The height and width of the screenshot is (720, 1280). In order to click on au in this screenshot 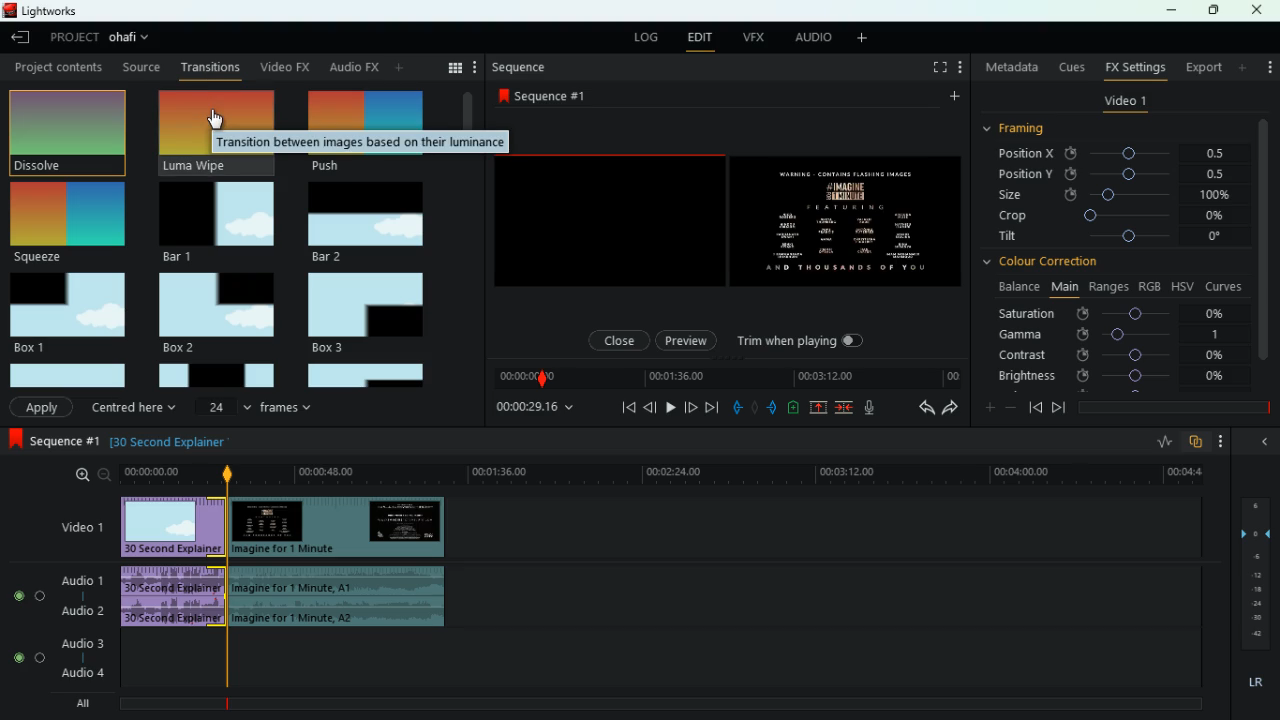, I will do `click(334, 67)`.